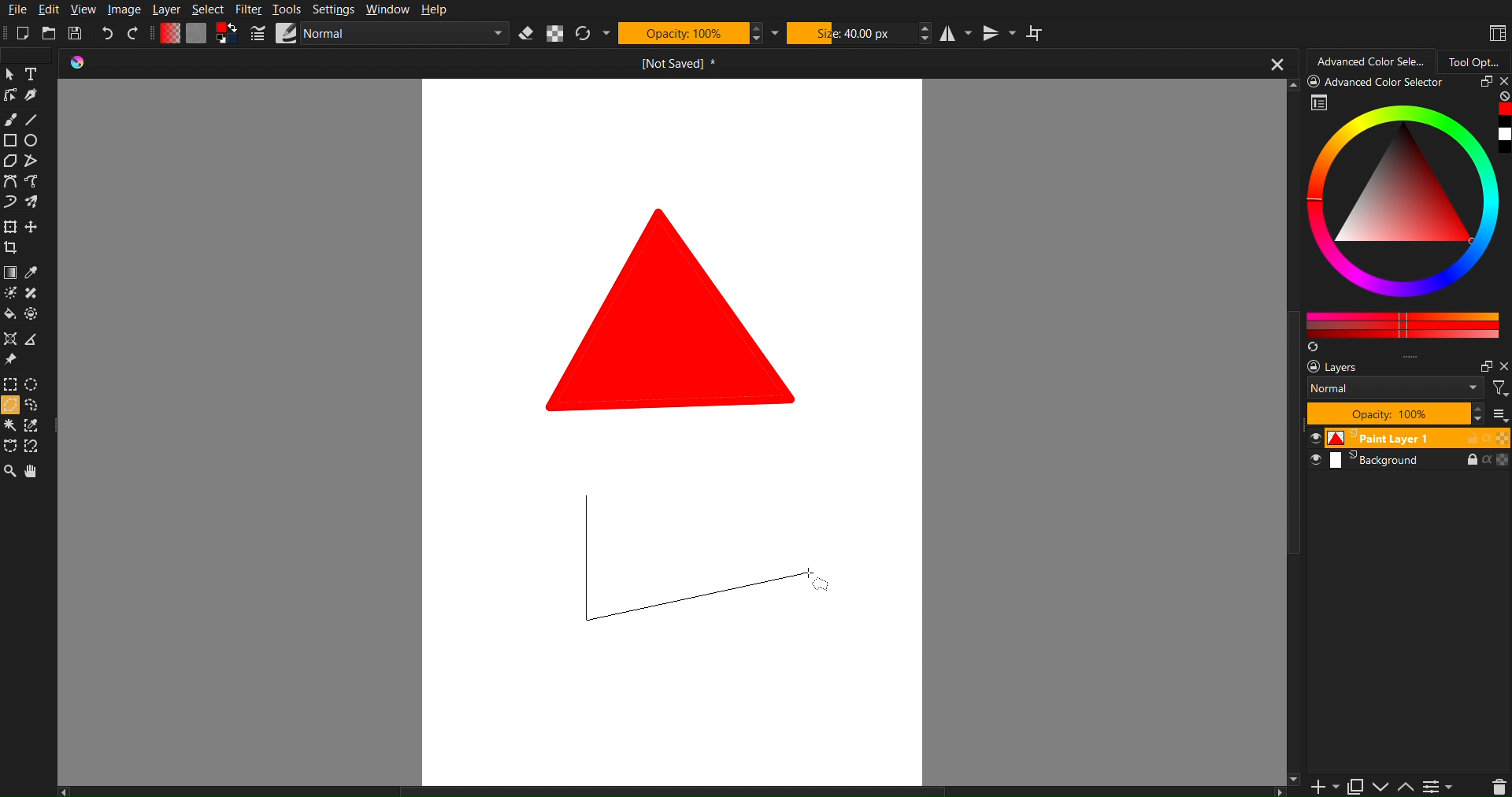 The image size is (1512, 797). What do you see at coordinates (1037, 33) in the screenshot?
I see `Wraparound` at bounding box center [1037, 33].